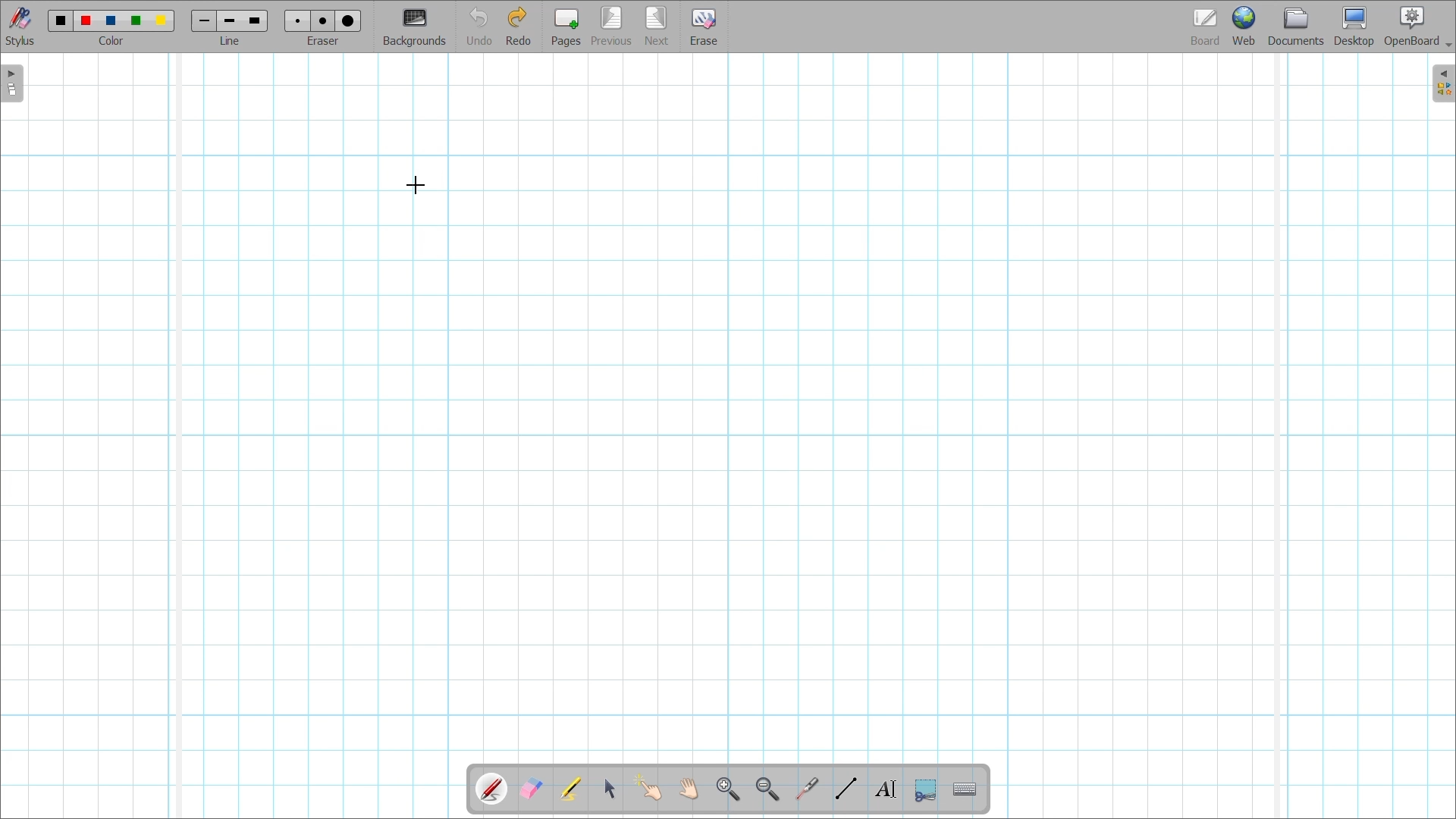  What do you see at coordinates (479, 27) in the screenshot?
I see `Undo` at bounding box center [479, 27].